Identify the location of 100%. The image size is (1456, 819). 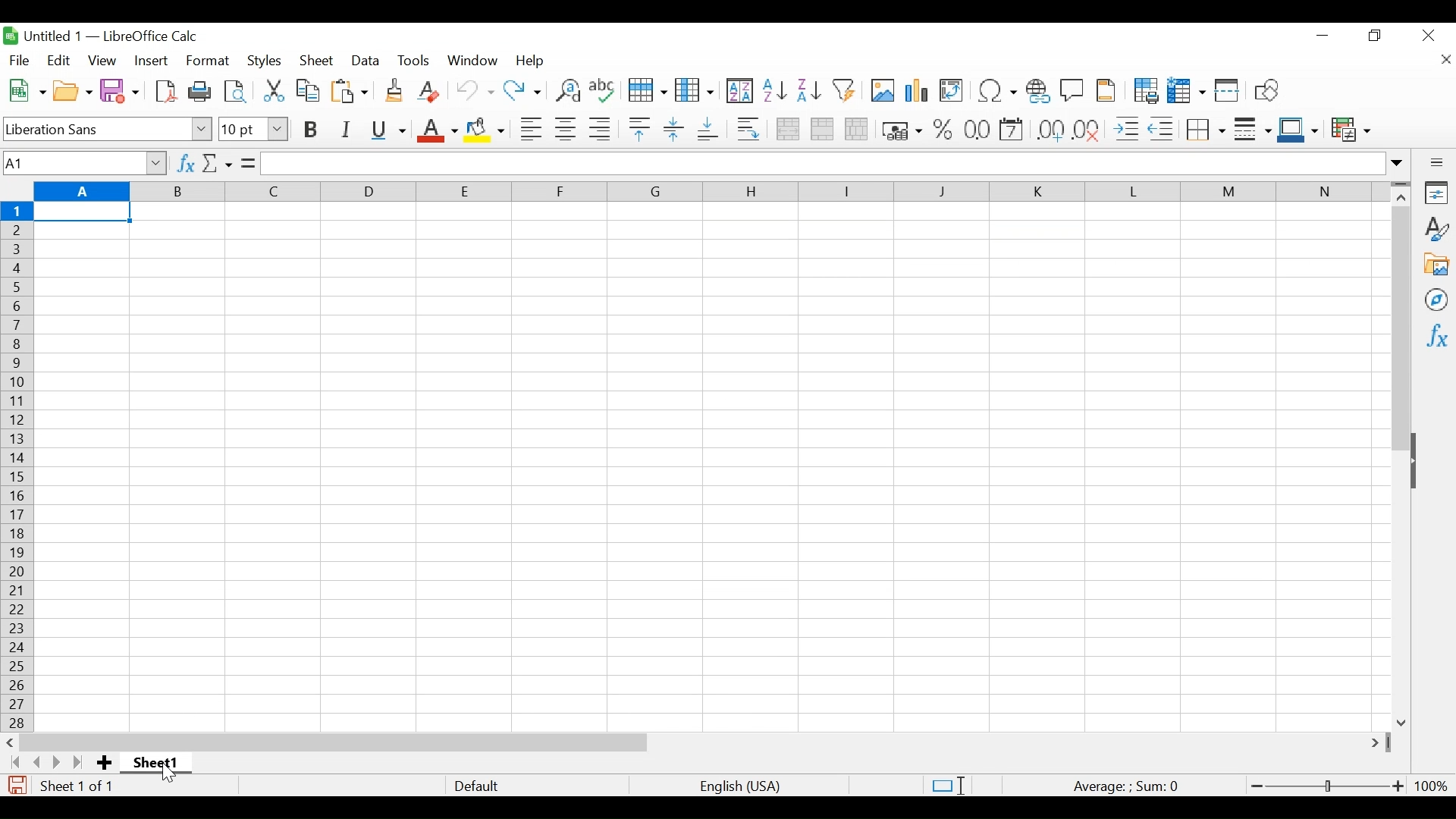
(1431, 784).